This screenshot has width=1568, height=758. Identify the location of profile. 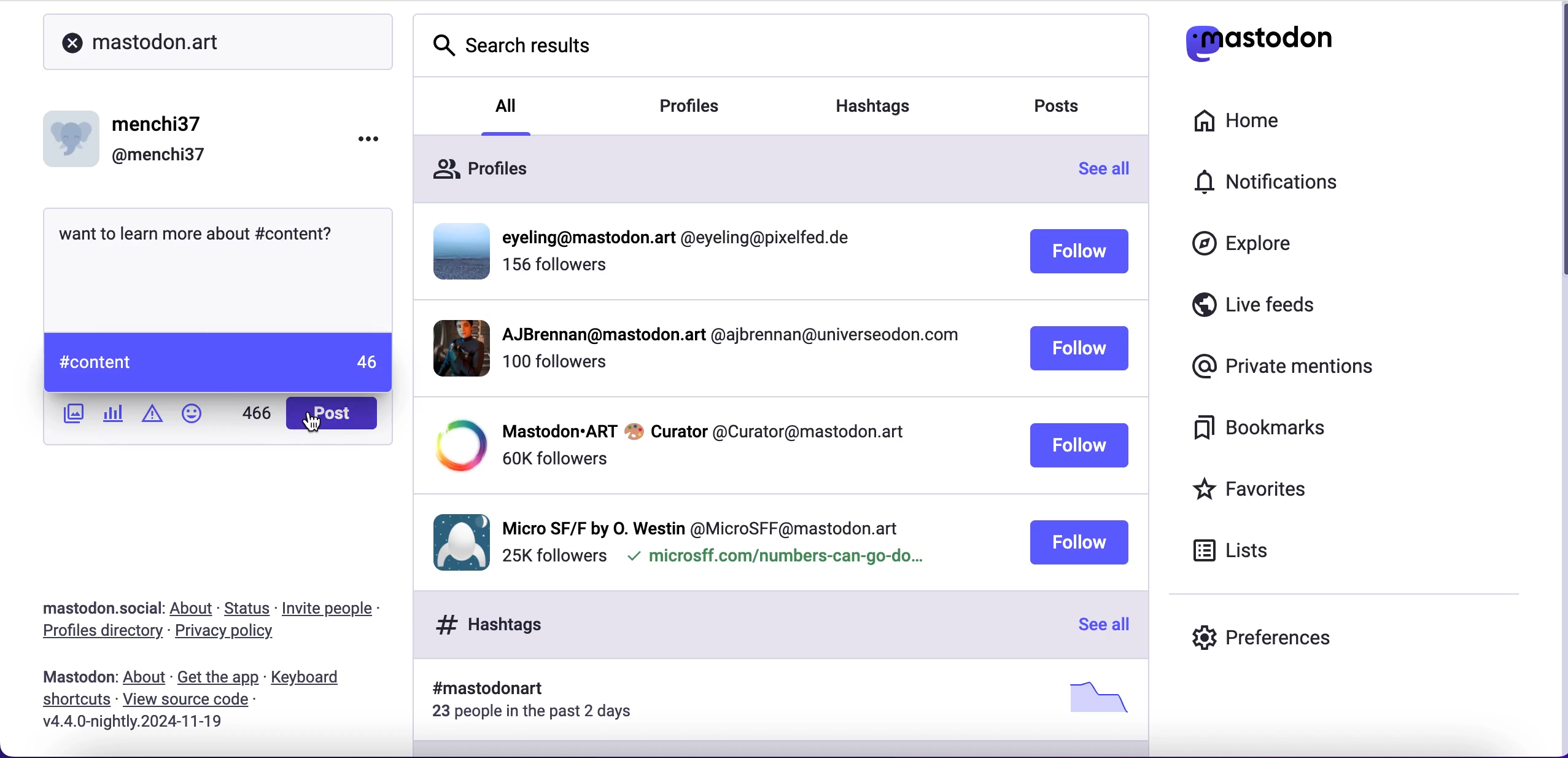
(703, 430).